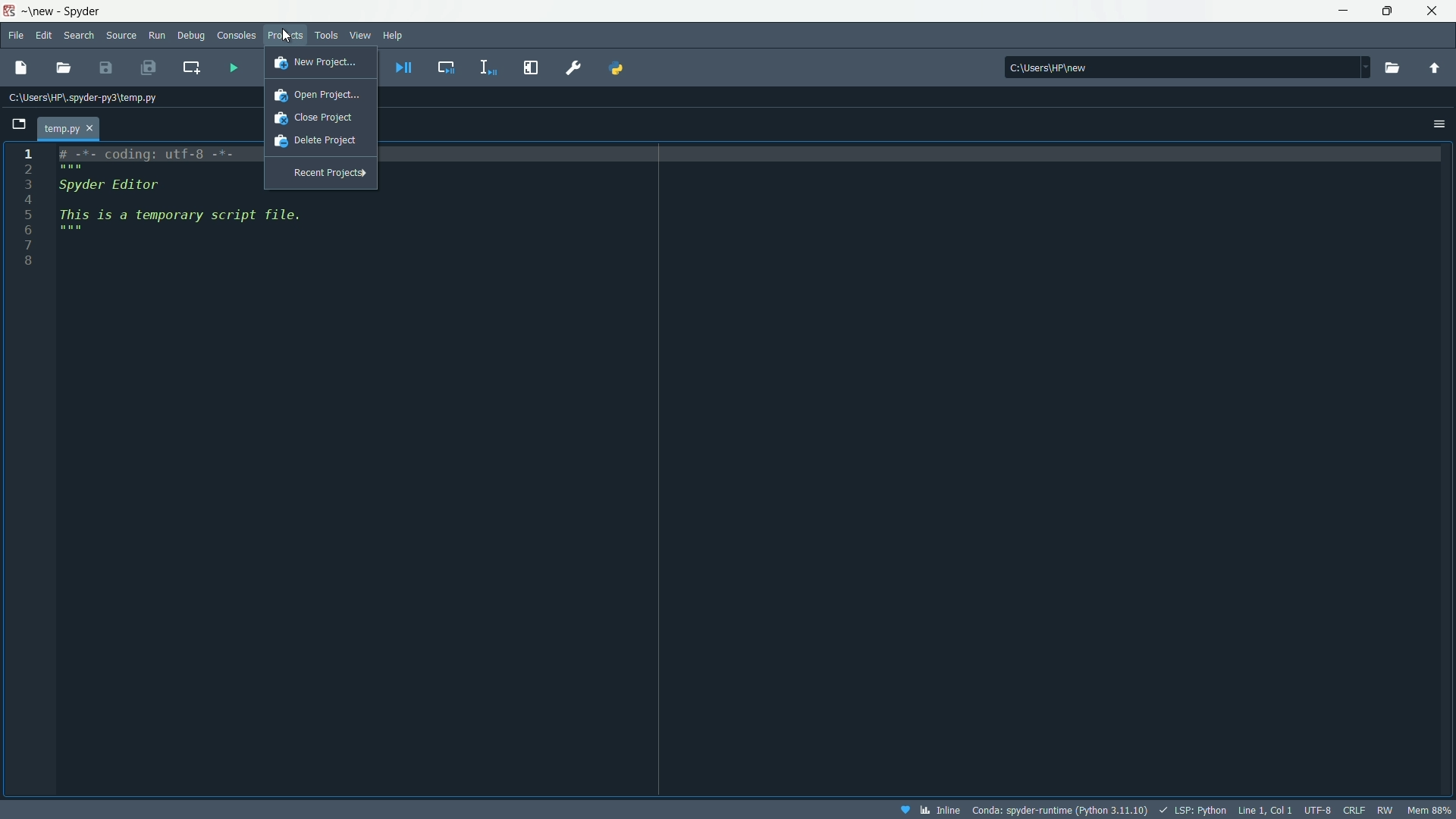  I want to click on File menu, so click(15, 36).